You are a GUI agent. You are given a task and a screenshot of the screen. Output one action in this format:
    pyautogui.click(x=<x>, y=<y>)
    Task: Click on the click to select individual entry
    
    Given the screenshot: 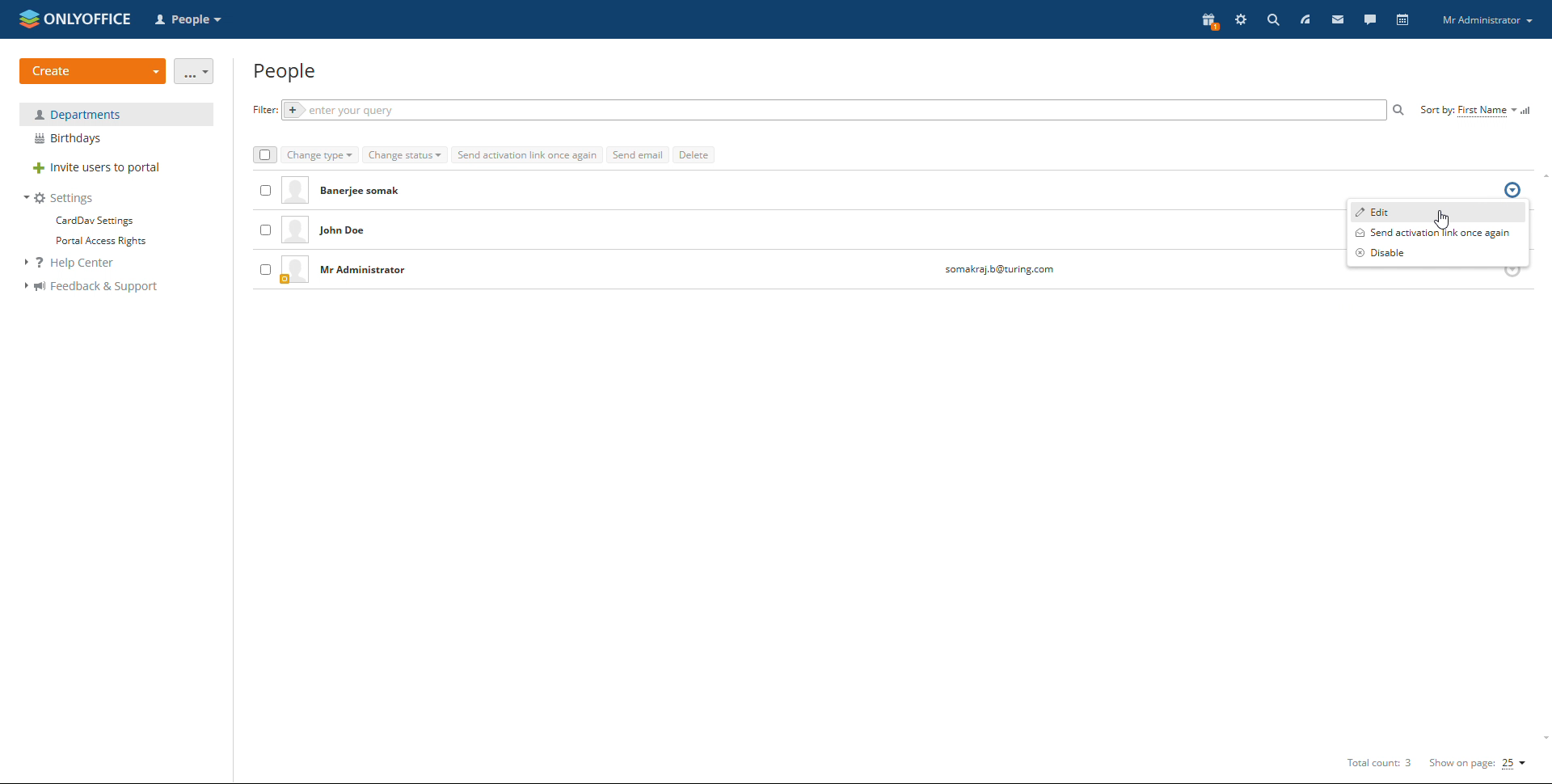 What is the action you would take?
    pyautogui.click(x=266, y=188)
    